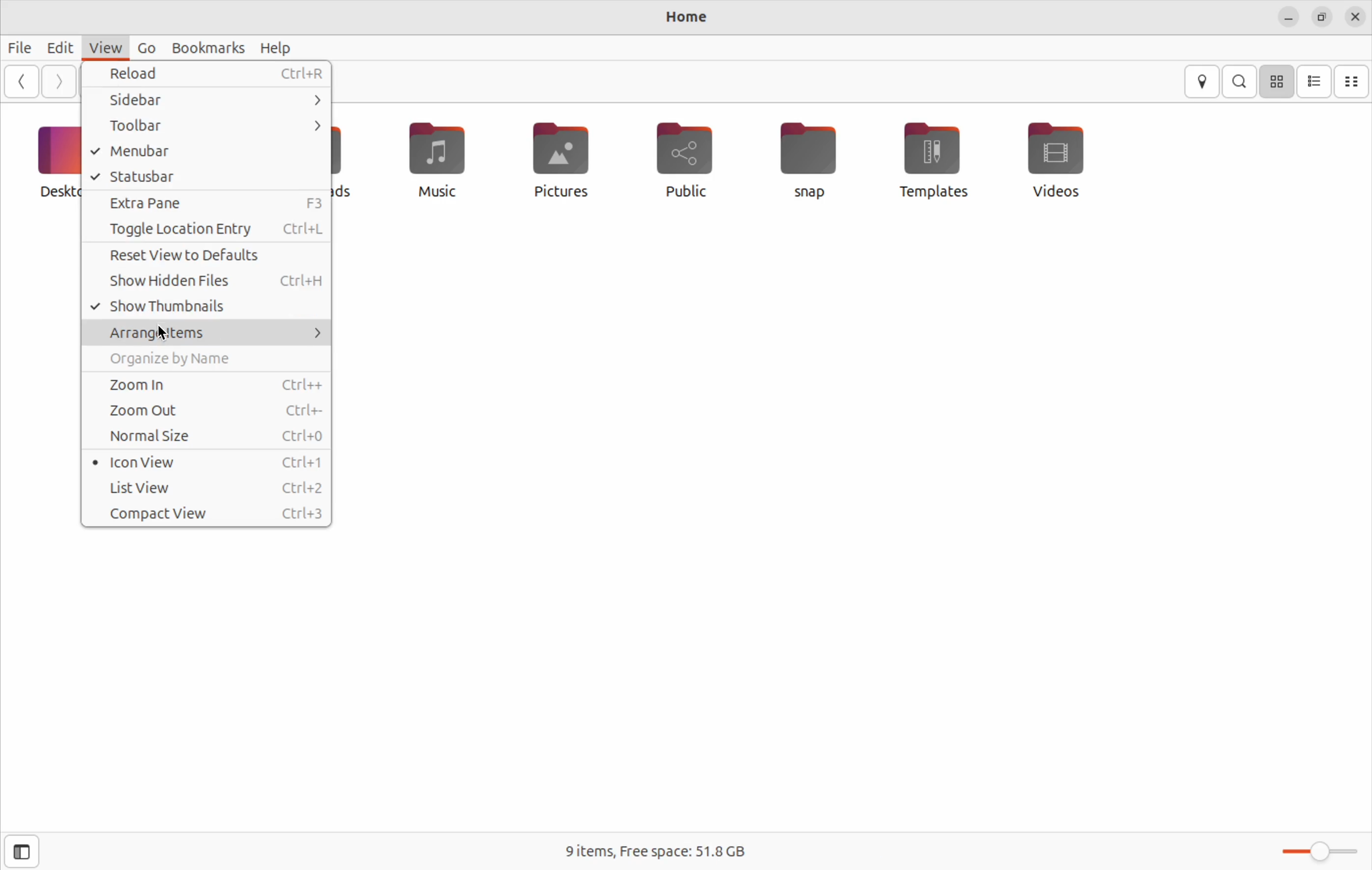 This screenshot has height=870, width=1372. I want to click on extra pane, so click(209, 203).